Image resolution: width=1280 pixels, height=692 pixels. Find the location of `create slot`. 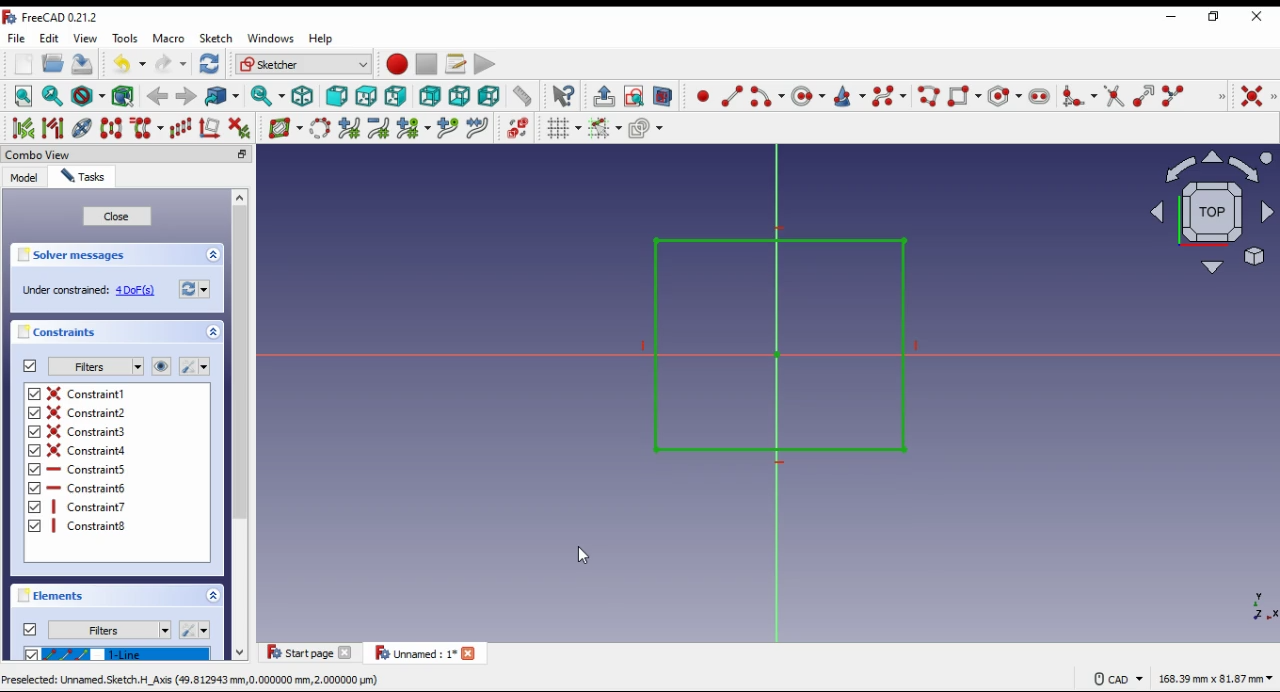

create slot is located at coordinates (1040, 96).